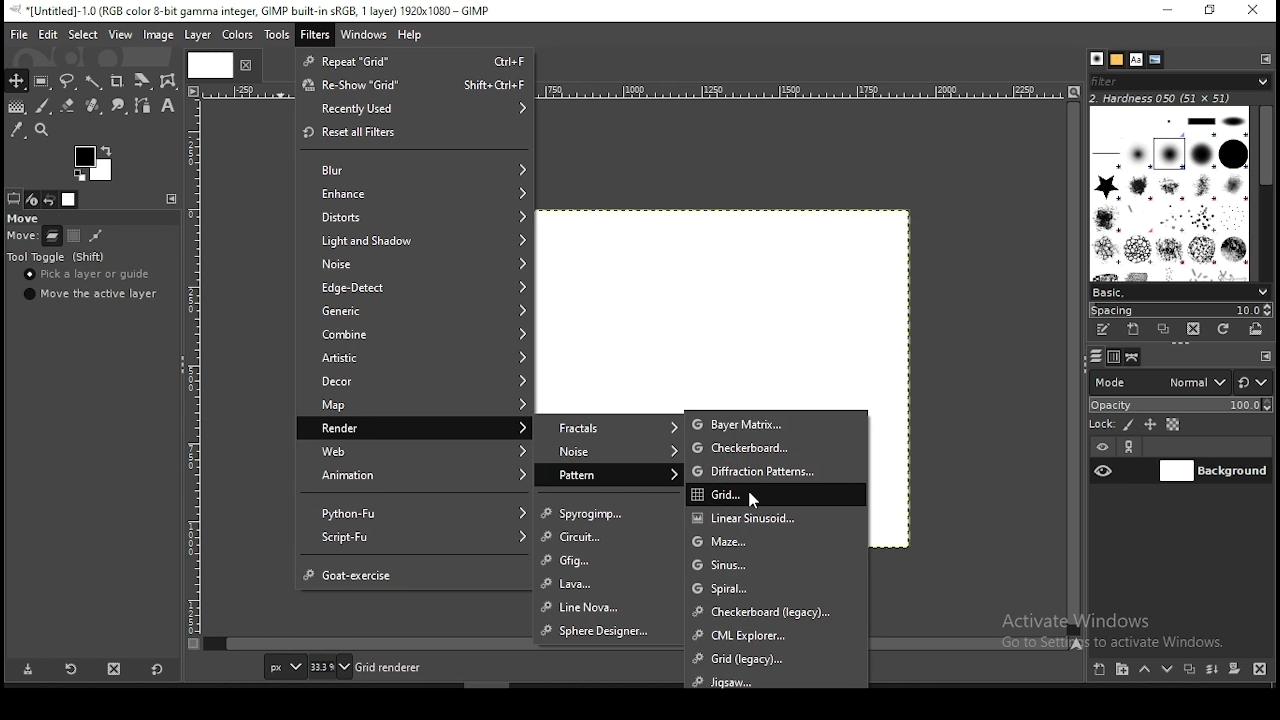 This screenshot has height=720, width=1280. What do you see at coordinates (95, 106) in the screenshot?
I see `eraser tool` at bounding box center [95, 106].